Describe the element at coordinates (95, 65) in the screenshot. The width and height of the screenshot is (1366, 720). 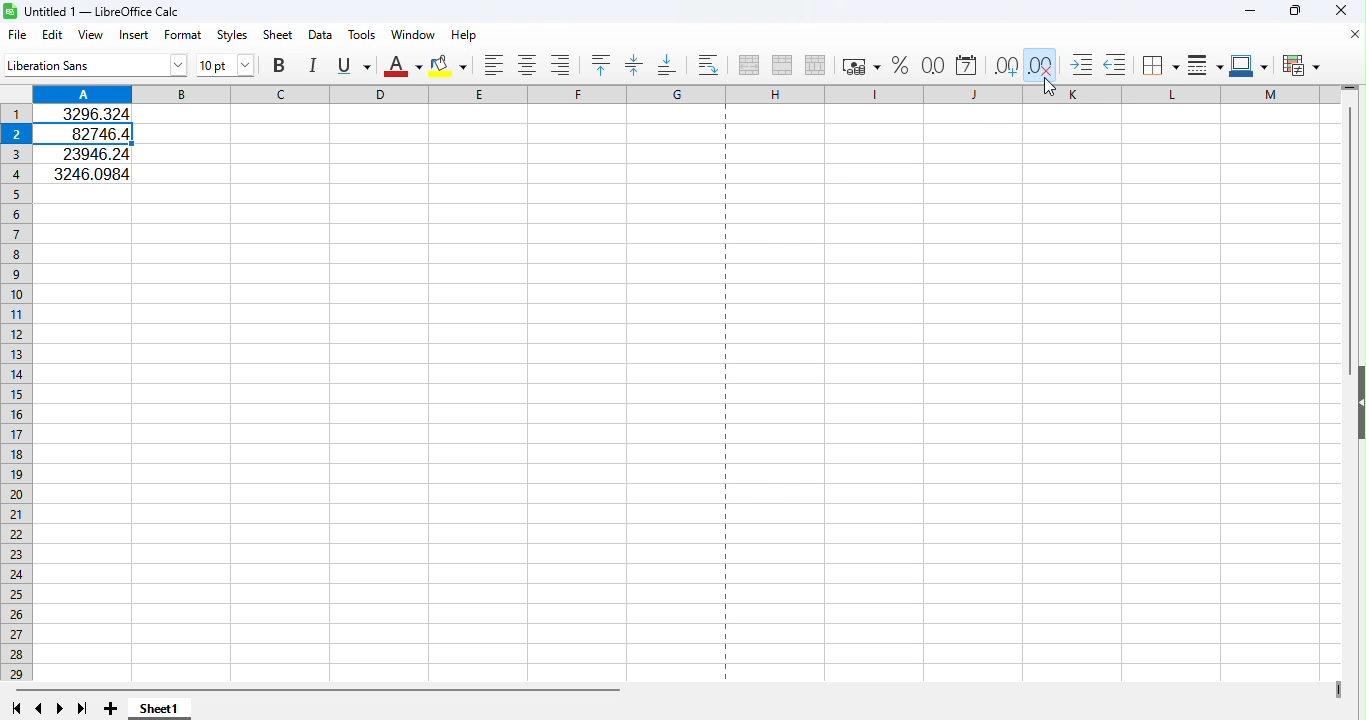
I see `Font name - Liberation Sans` at that location.